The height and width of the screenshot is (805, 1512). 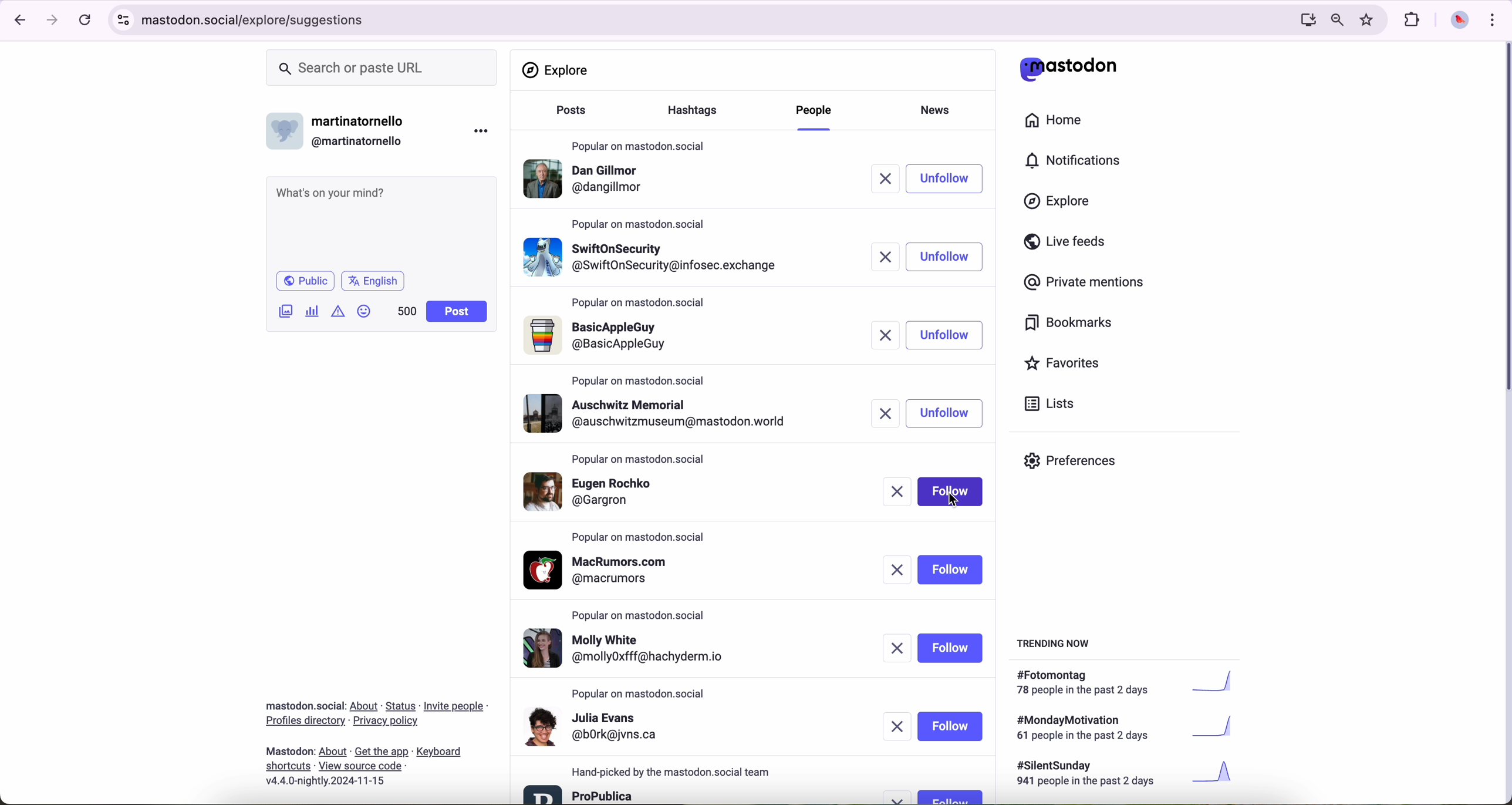 What do you see at coordinates (53, 21) in the screenshot?
I see `navigate foward` at bounding box center [53, 21].